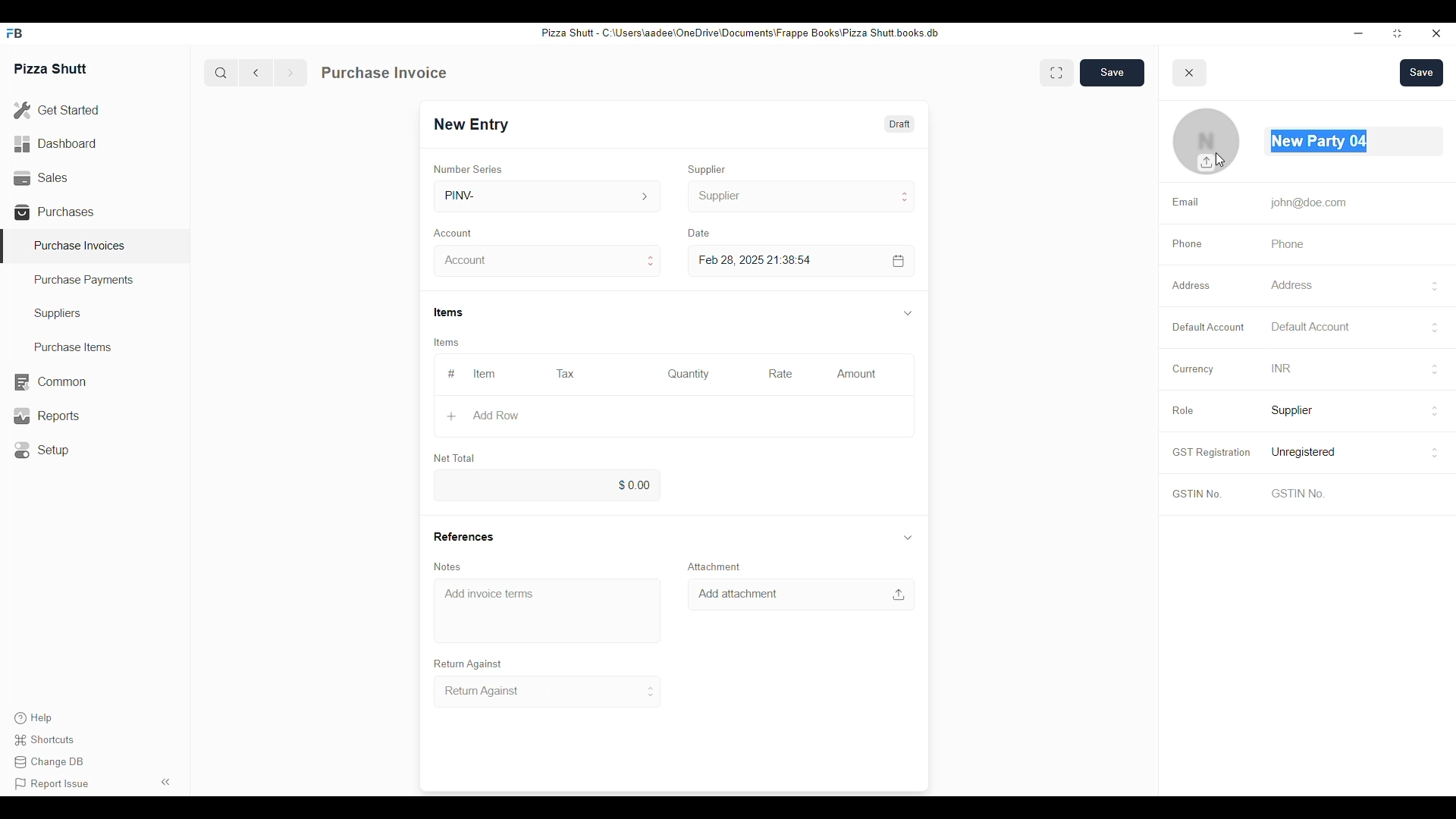 This screenshot has width=1456, height=819. What do you see at coordinates (456, 231) in the screenshot?
I see `Account` at bounding box center [456, 231].